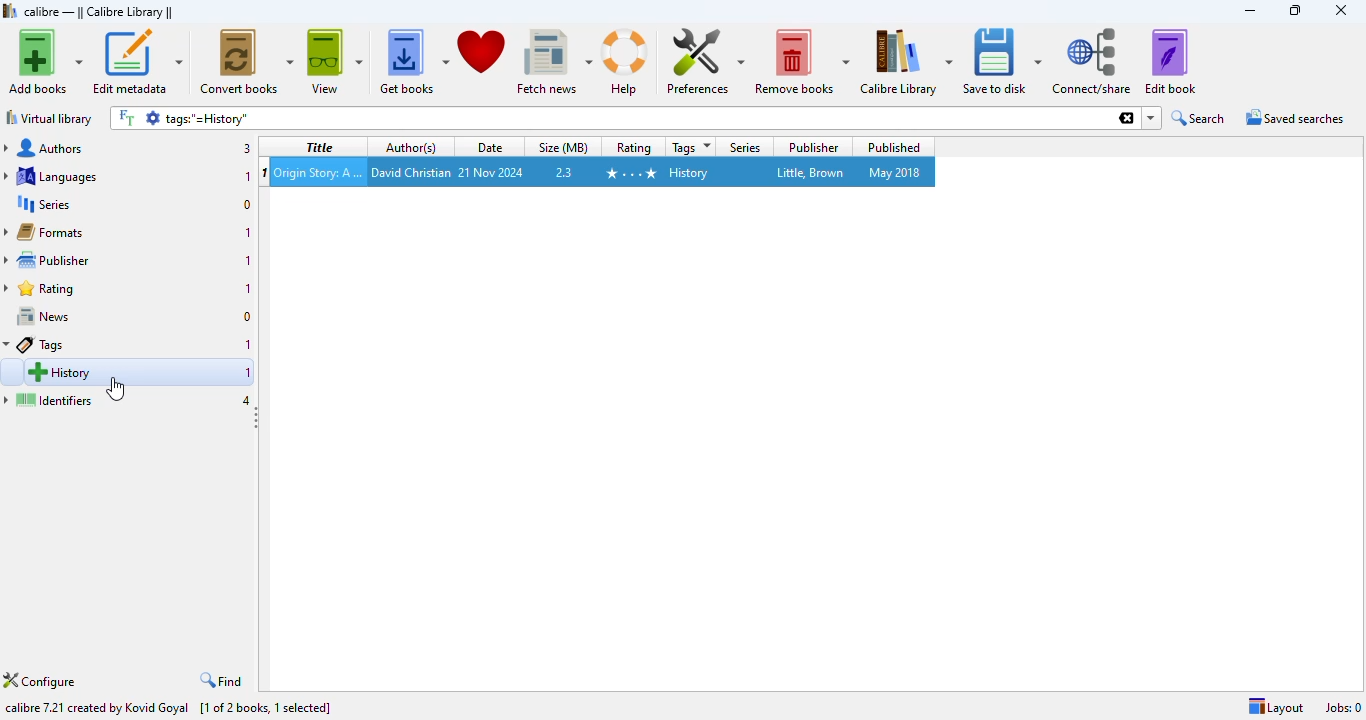 The image size is (1366, 720). I want to click on get books, so click(413, 61).